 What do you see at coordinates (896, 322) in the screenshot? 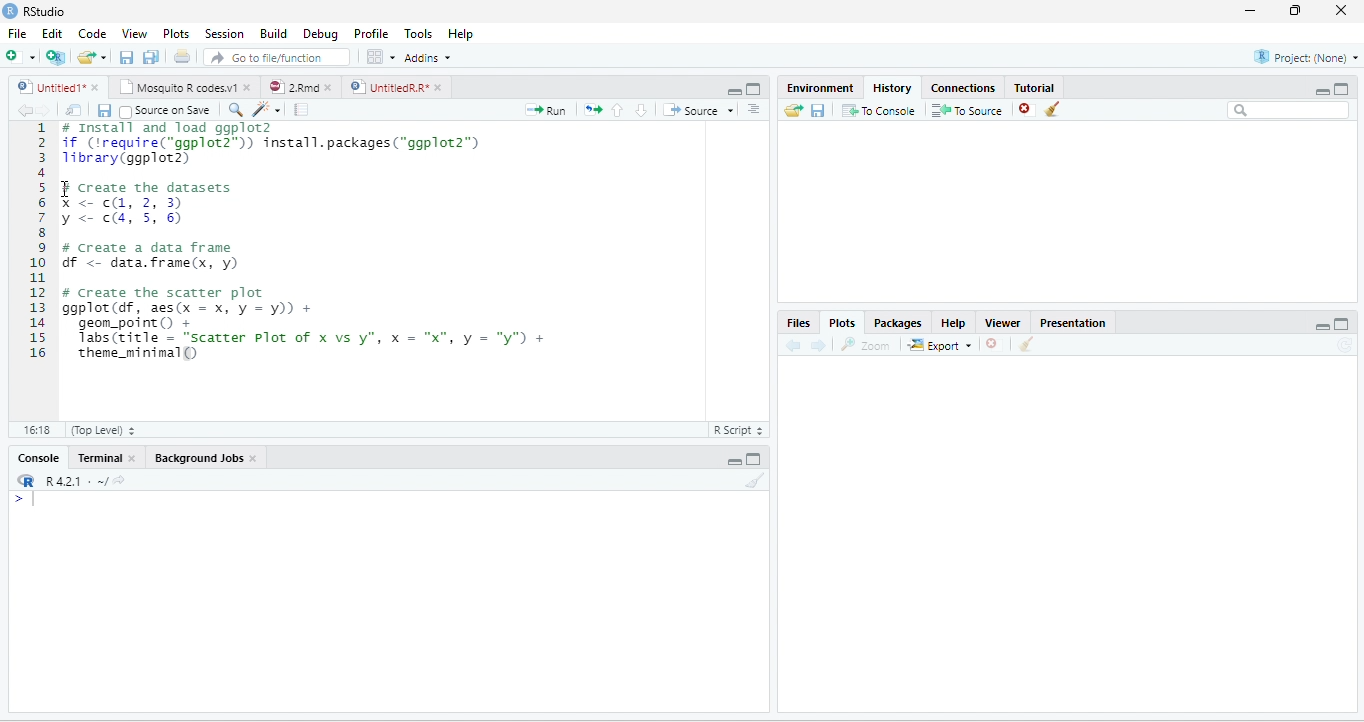
I see `Packages` at bounding box center [896, 322].